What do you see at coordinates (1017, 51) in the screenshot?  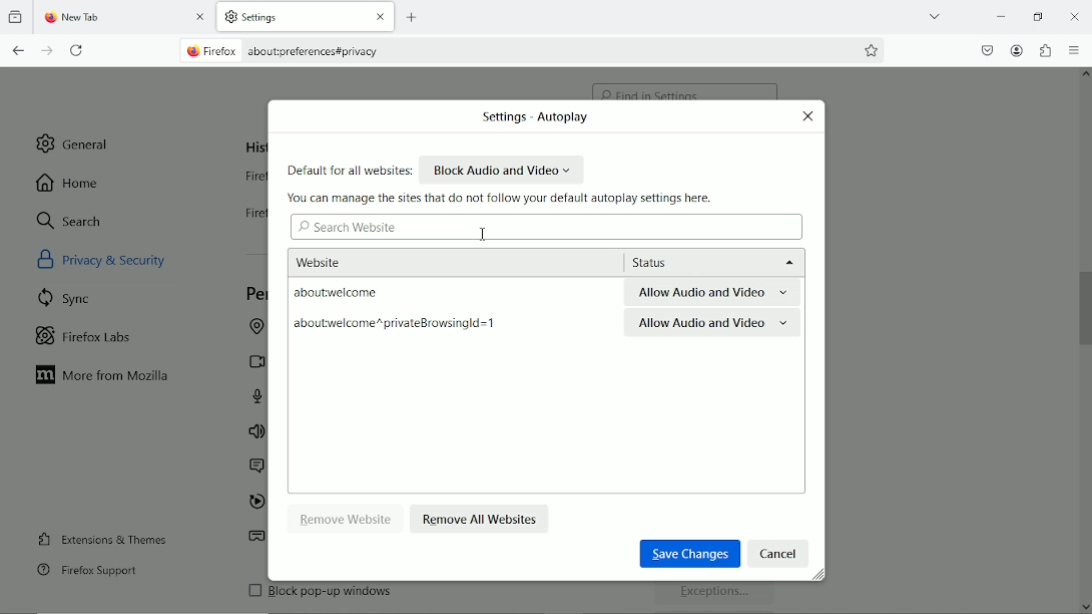 I see `account` at bounding box center [1017, 51].